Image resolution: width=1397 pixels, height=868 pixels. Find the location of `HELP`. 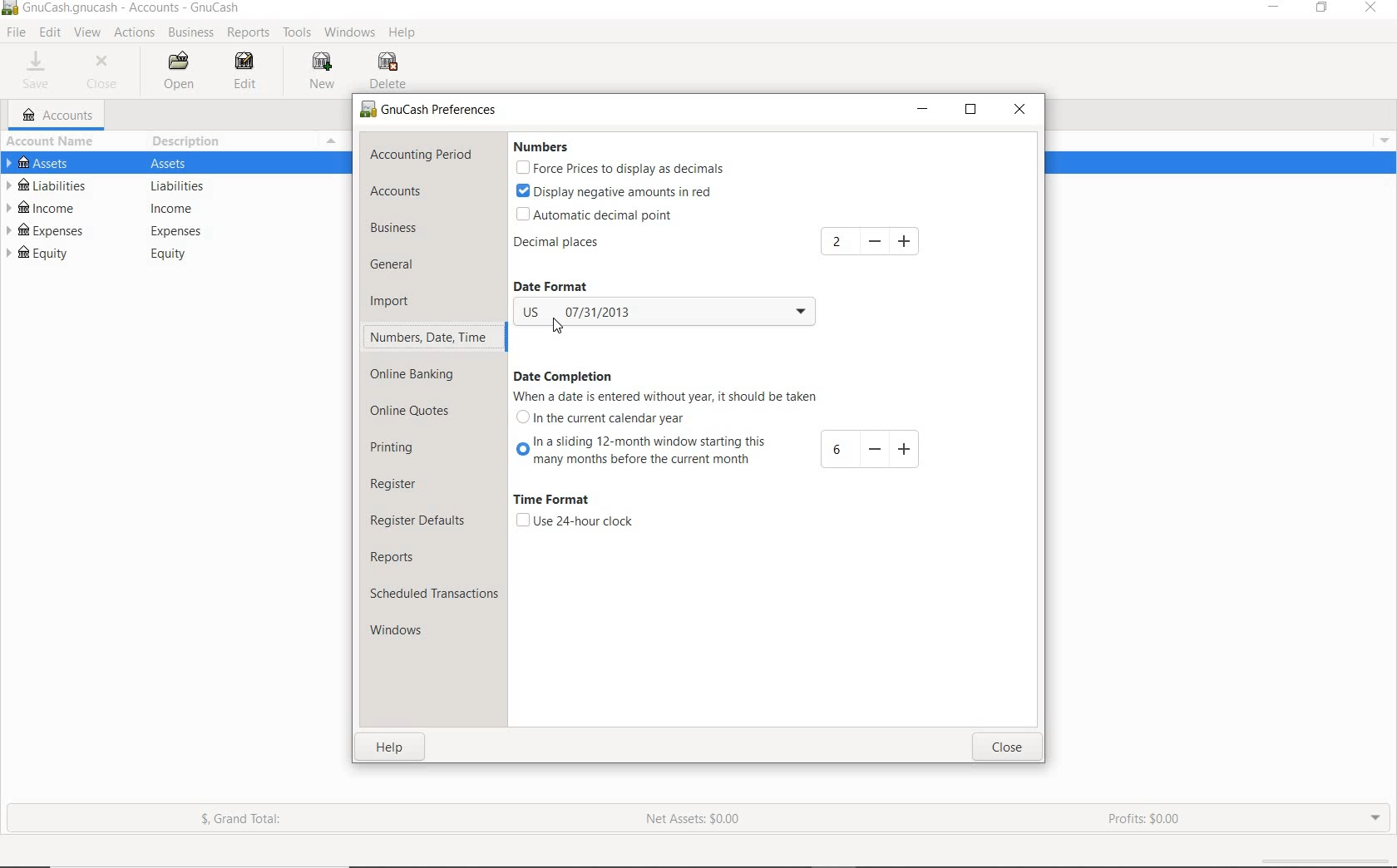

HELP is located at coordinates (403, 33).